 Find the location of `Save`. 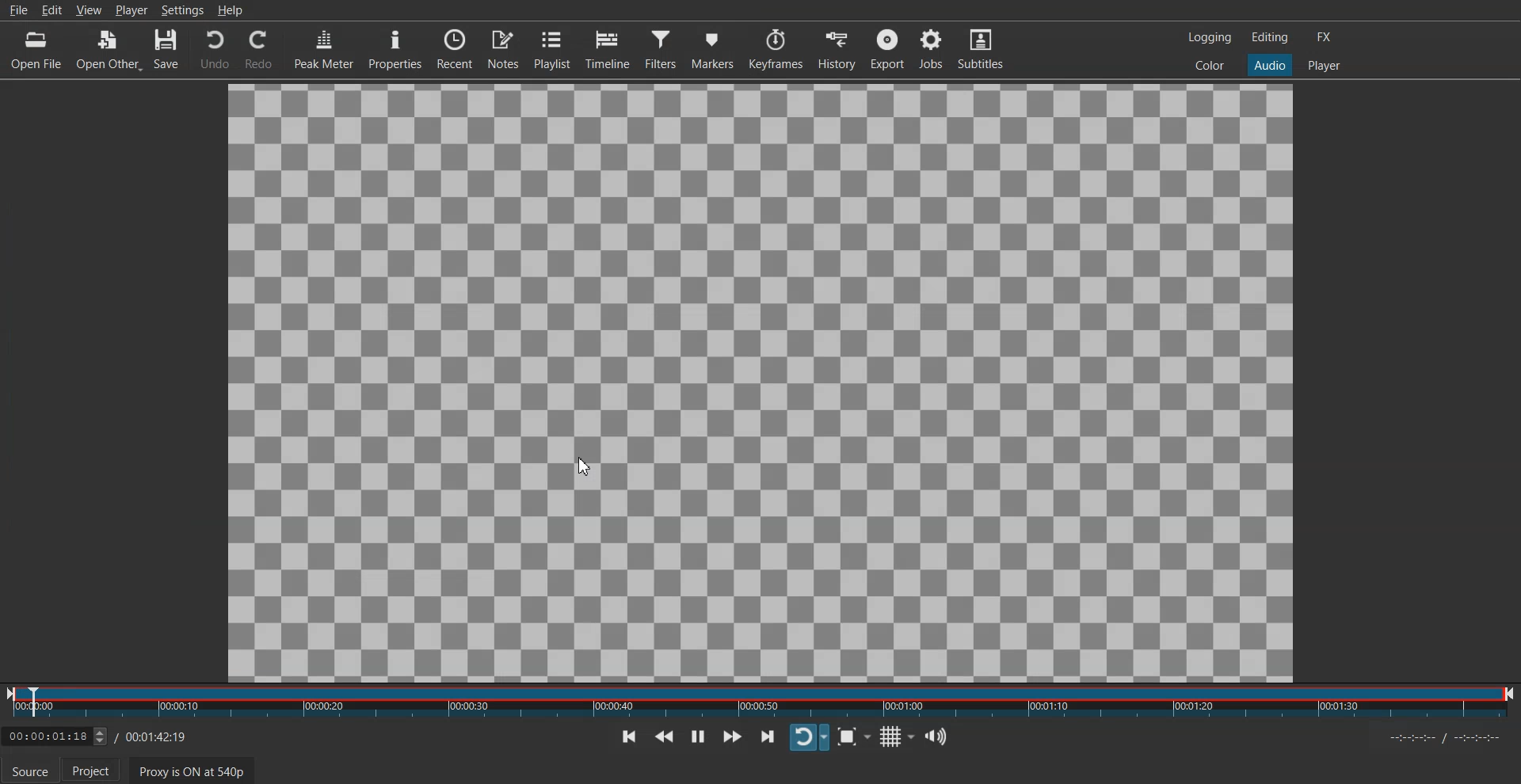

Save is located at coordinates (169, 49).